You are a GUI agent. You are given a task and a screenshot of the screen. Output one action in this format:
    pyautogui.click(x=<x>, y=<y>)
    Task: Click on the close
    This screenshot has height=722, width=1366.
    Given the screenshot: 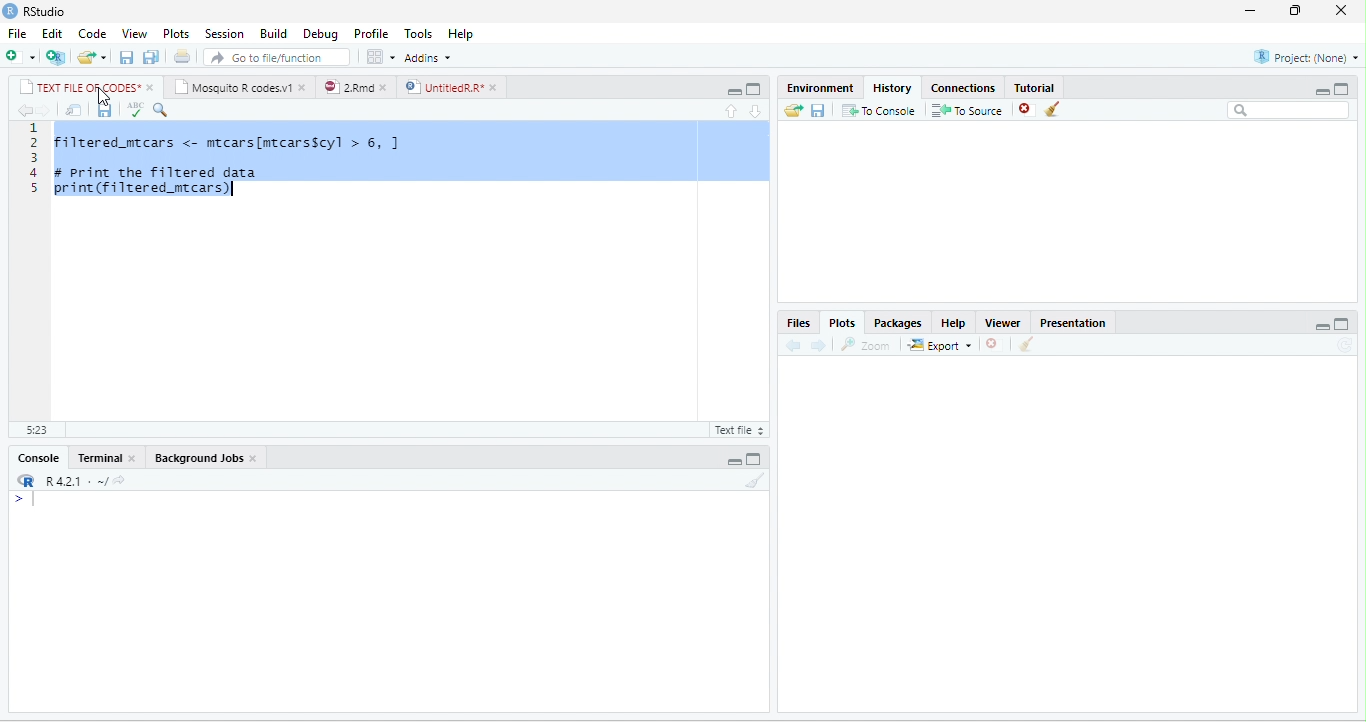 What is the action you would take?
    pyautogui.click(x=134, y=457)
    